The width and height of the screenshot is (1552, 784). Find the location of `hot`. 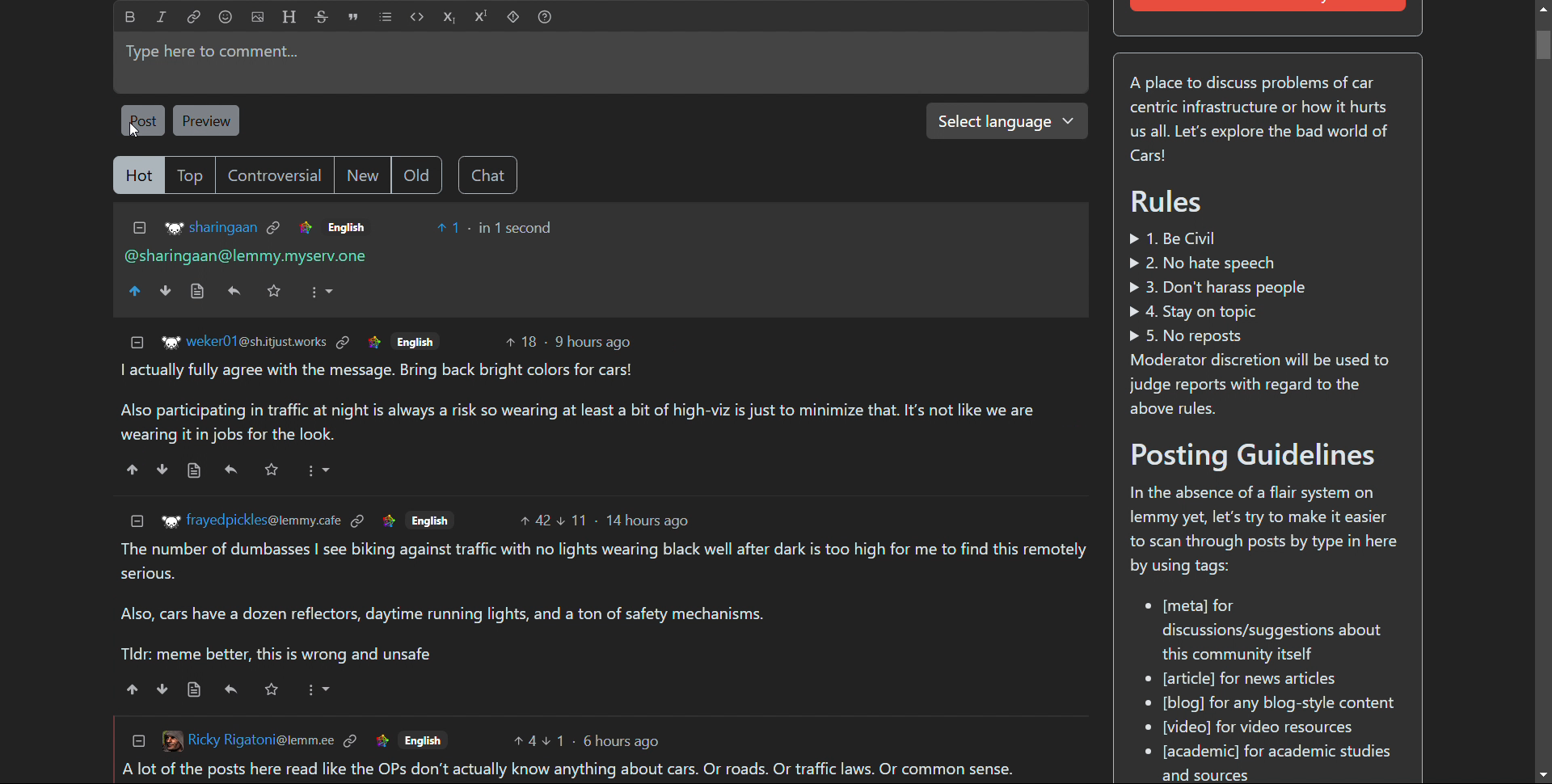

hot is located at coordinates (137, 175).